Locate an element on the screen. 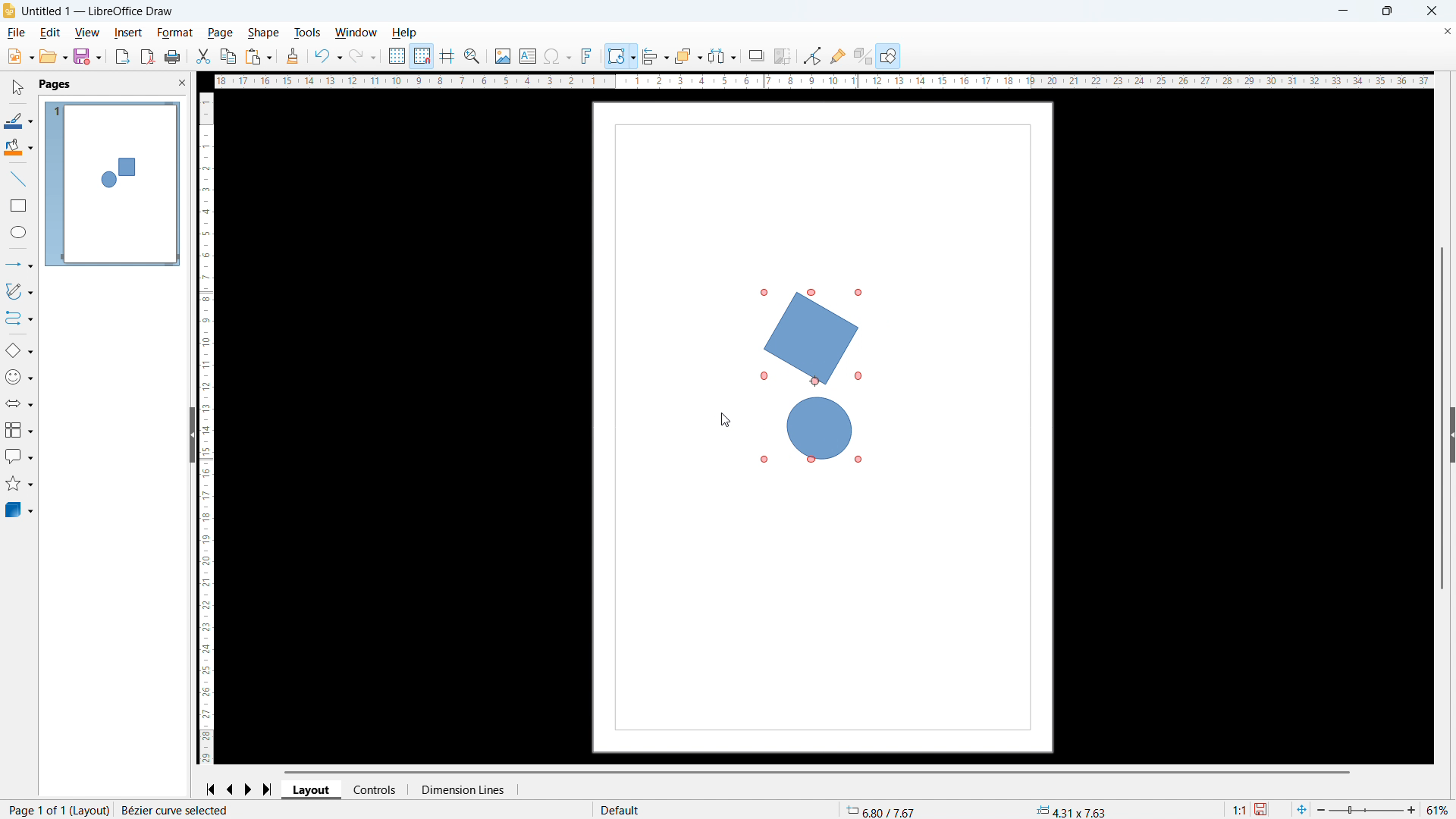  Zoom slider  is located at coordinates (1365, 809).